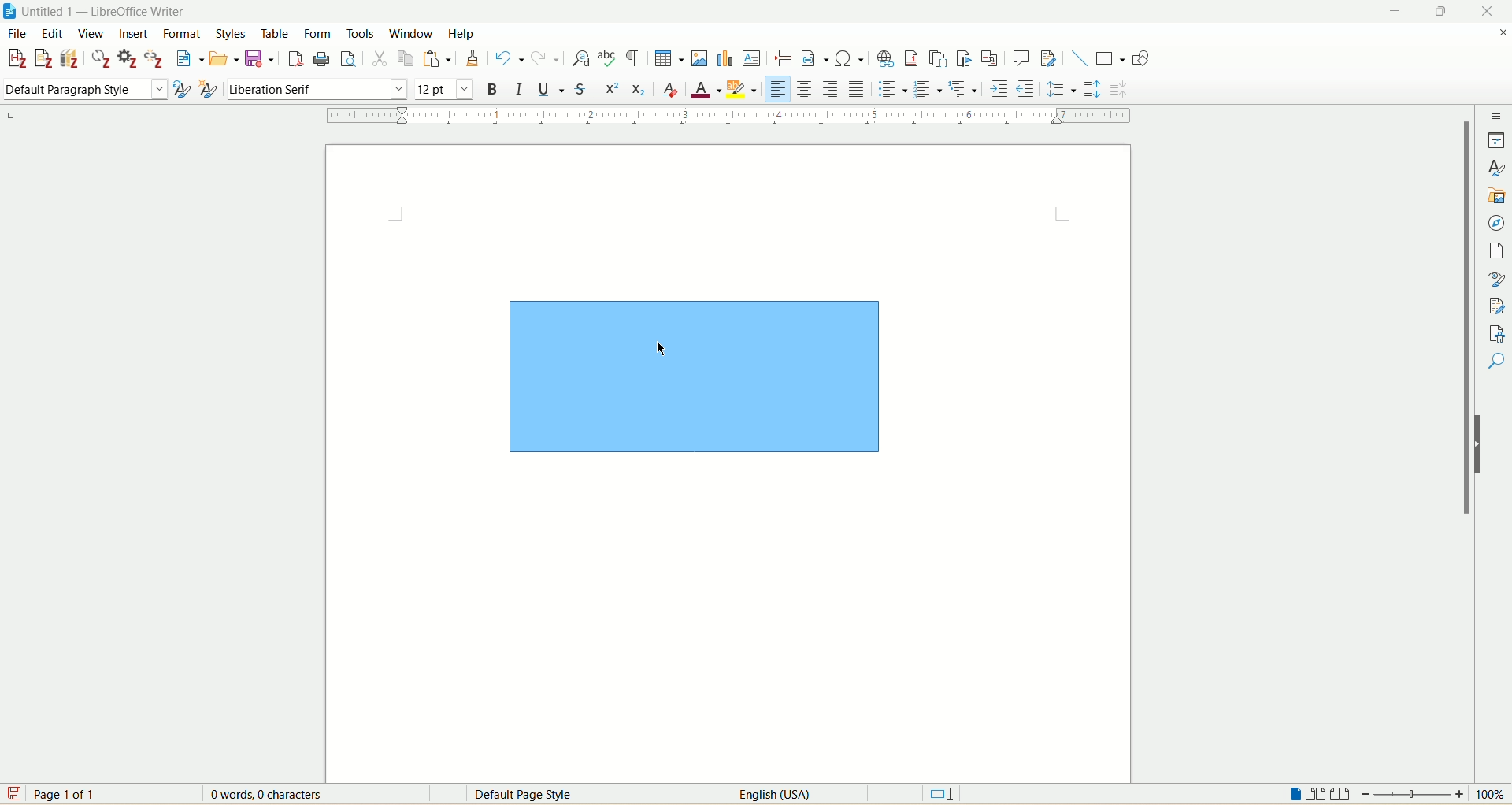 This screenshot has width=1512, height=805. Describe the element at coordinates (893, 89) in the screenshot. I see `unordered list` at that location.